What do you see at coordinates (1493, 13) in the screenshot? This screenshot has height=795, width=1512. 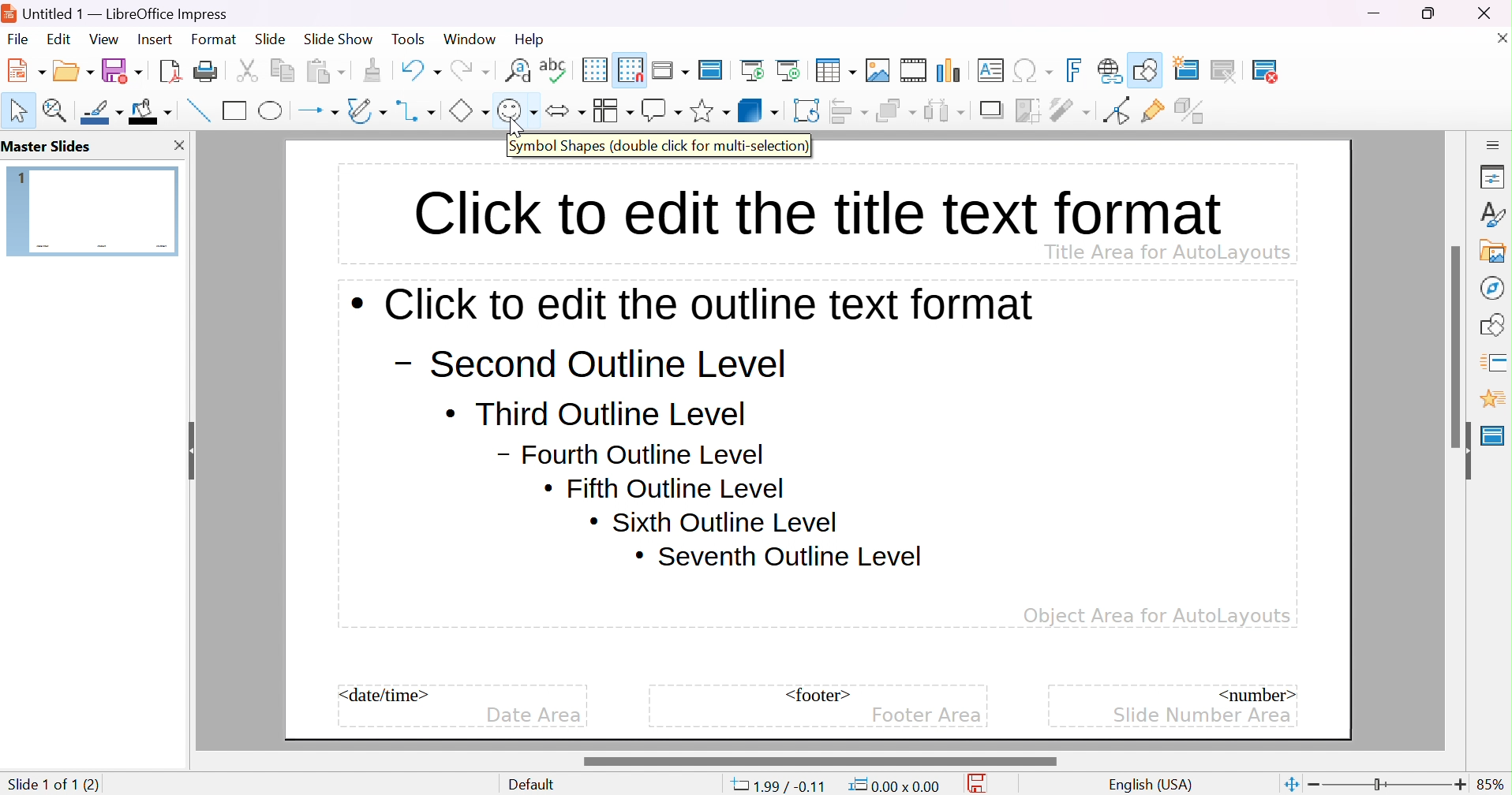 I see `close` at bounding box center [1493, 13].